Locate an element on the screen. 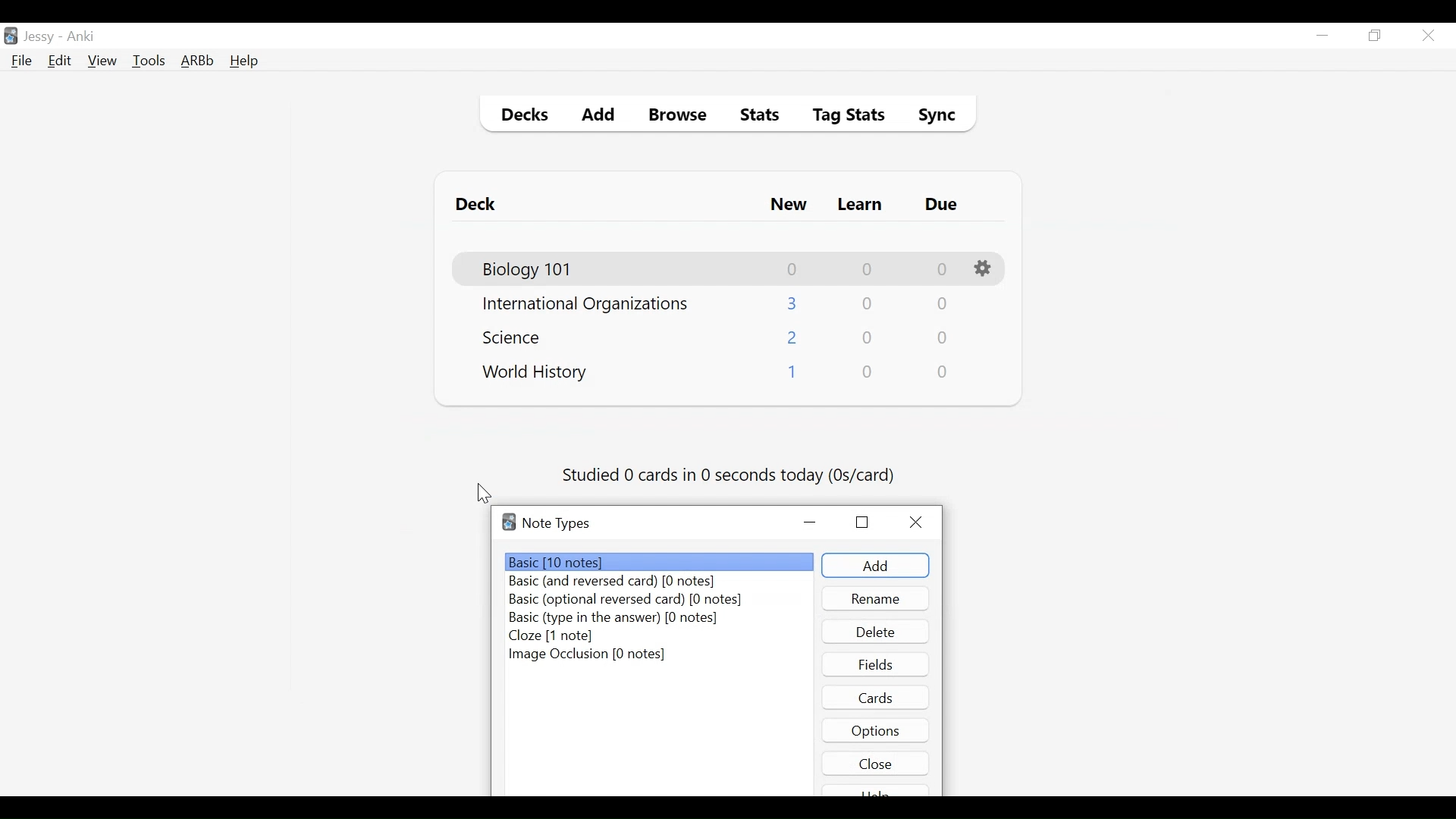 This screenshot has width=1456, height=819. Learn Card Count is located at coordinates (868, 338).